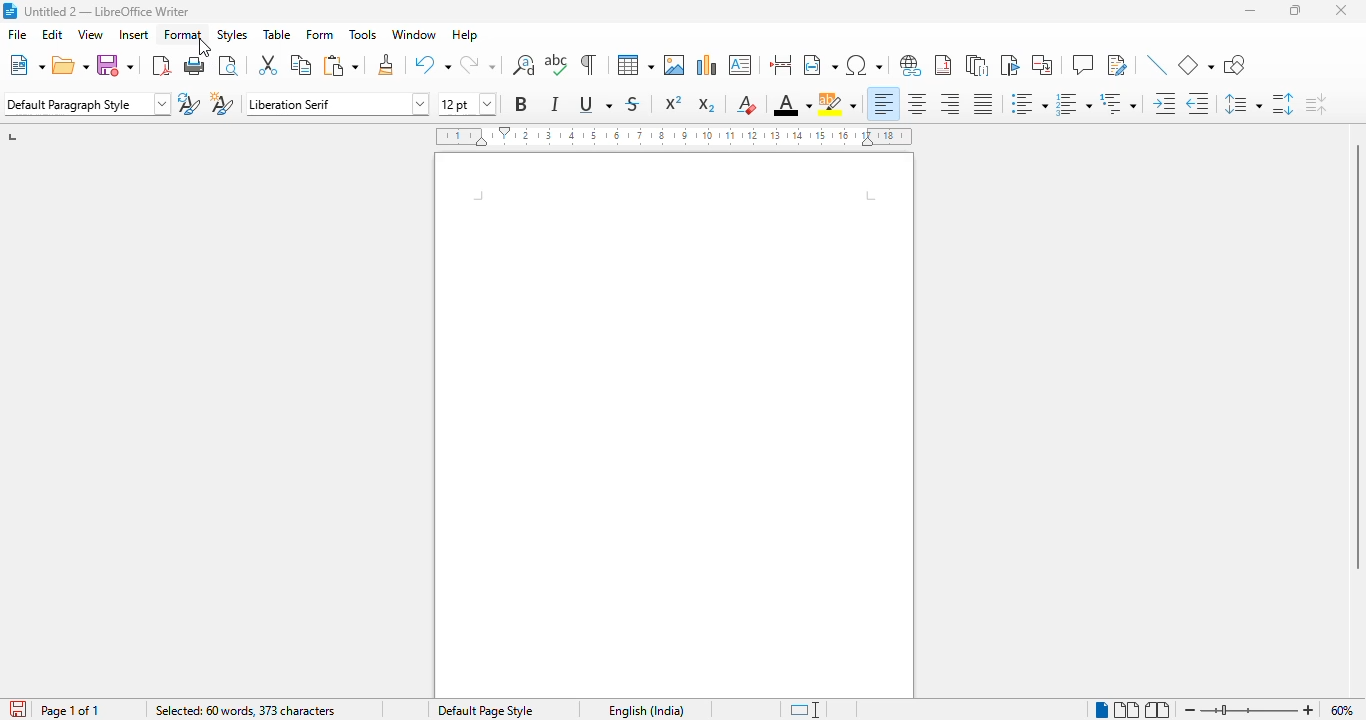  Describe the element at coordinates (1102, 709) in the screenshot. I see `single-page view` at that location.